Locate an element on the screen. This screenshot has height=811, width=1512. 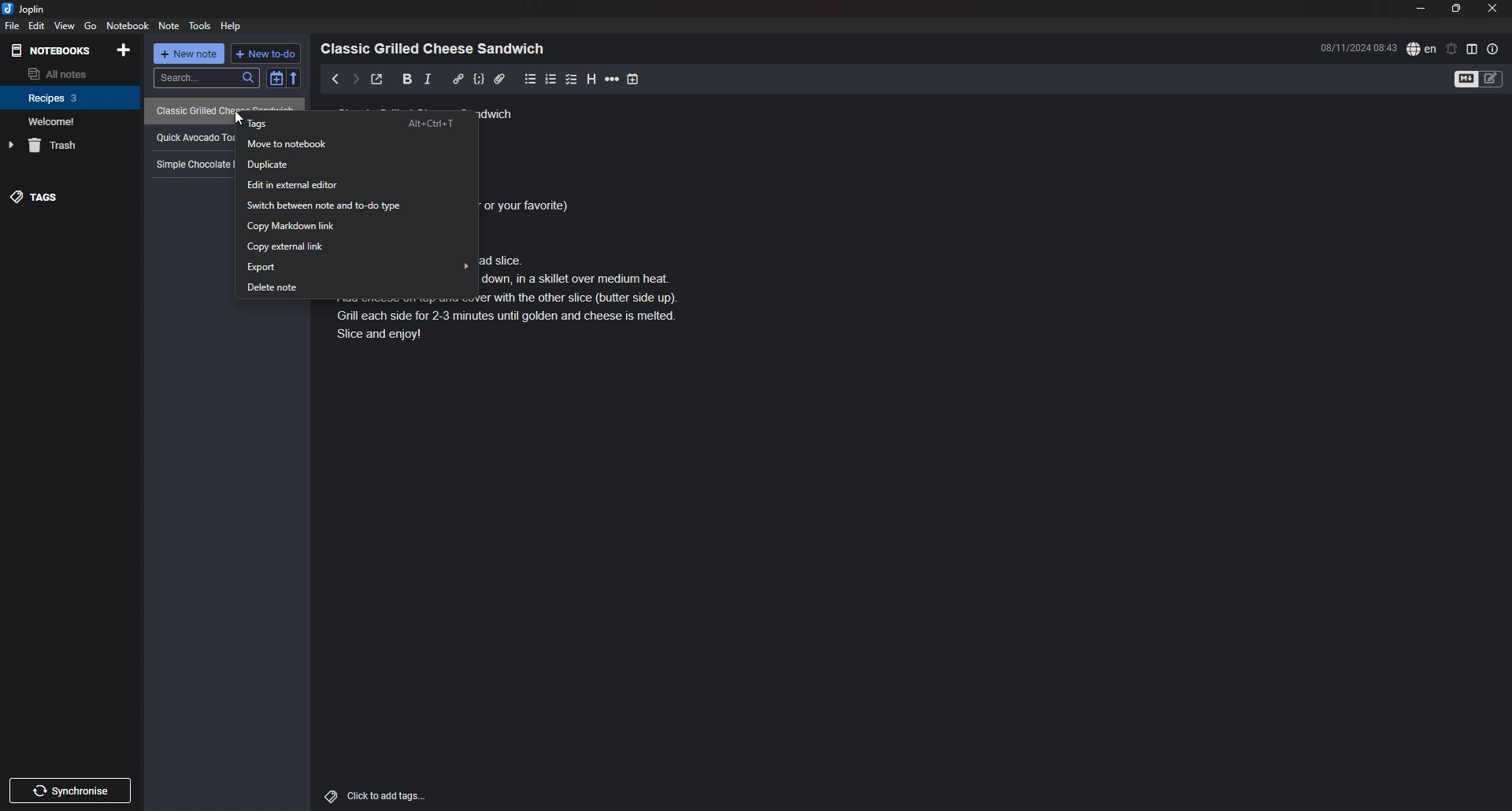
set alarm is located at coordinates (1452, 48).